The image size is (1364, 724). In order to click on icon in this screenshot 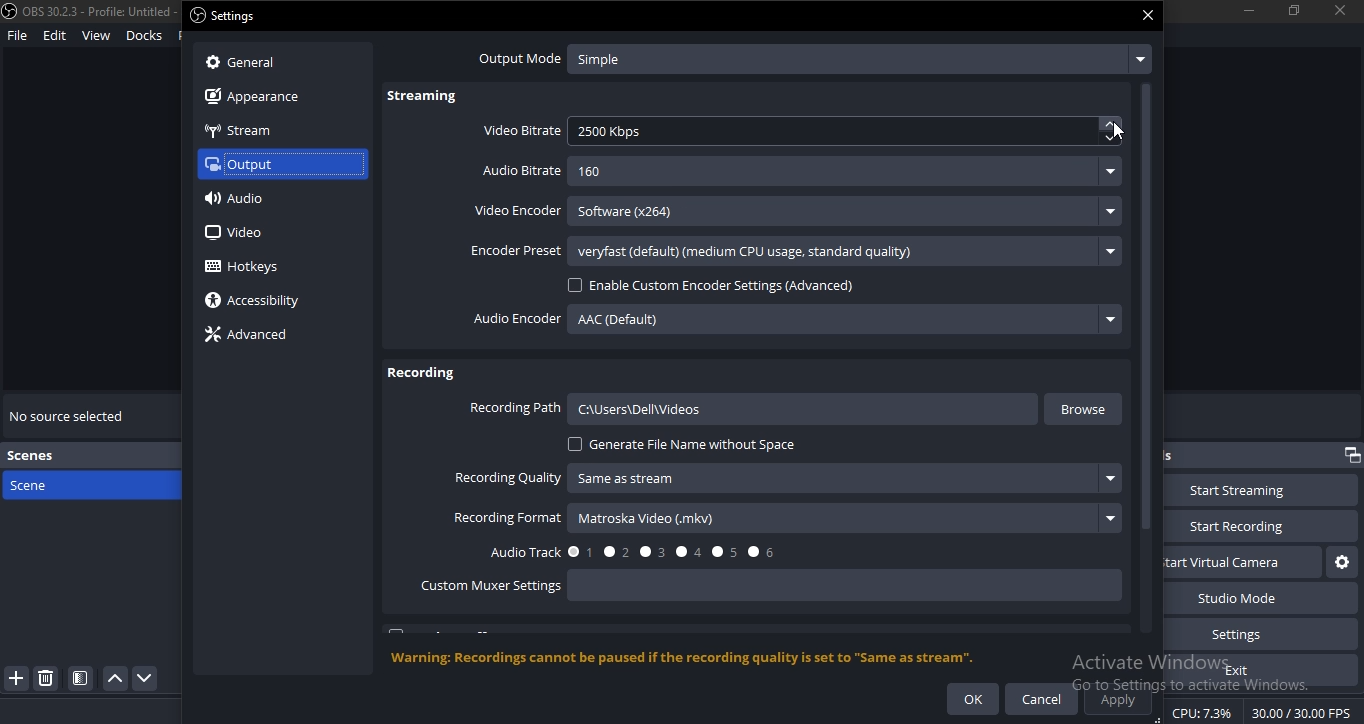, I will do `click(80, 678)`.